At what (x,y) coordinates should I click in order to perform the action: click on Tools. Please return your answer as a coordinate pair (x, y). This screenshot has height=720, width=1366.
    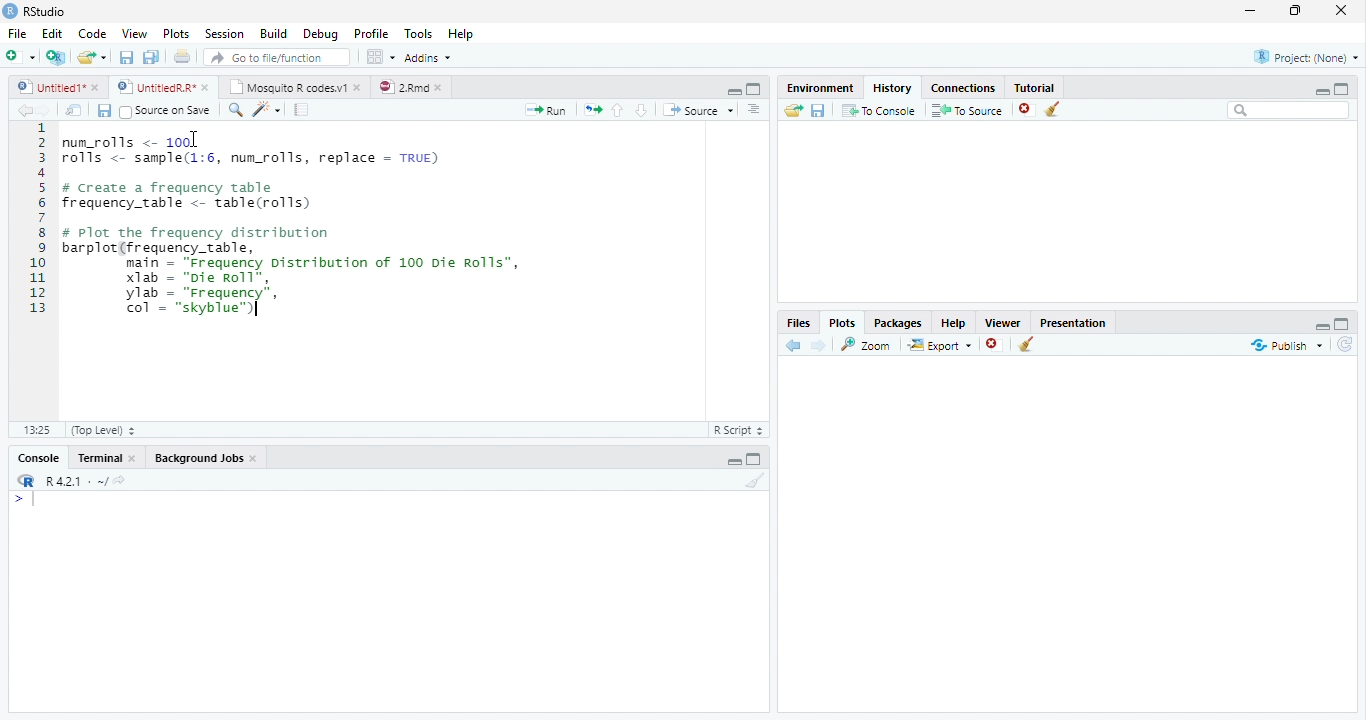
    Looking at the image, I should click on (420, 33).